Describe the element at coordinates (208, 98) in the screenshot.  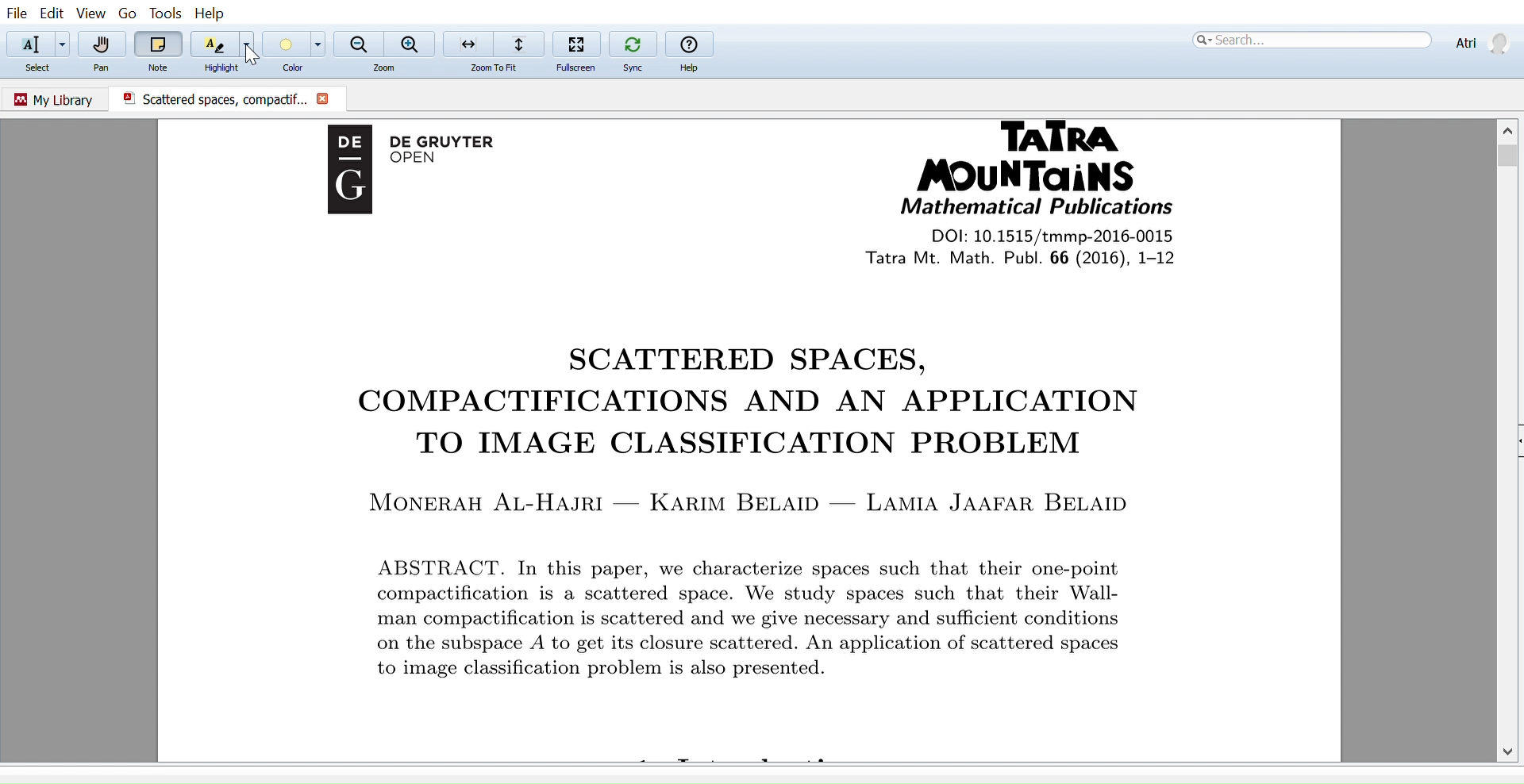
I see `Scattered spaces, compactific.` at that location.